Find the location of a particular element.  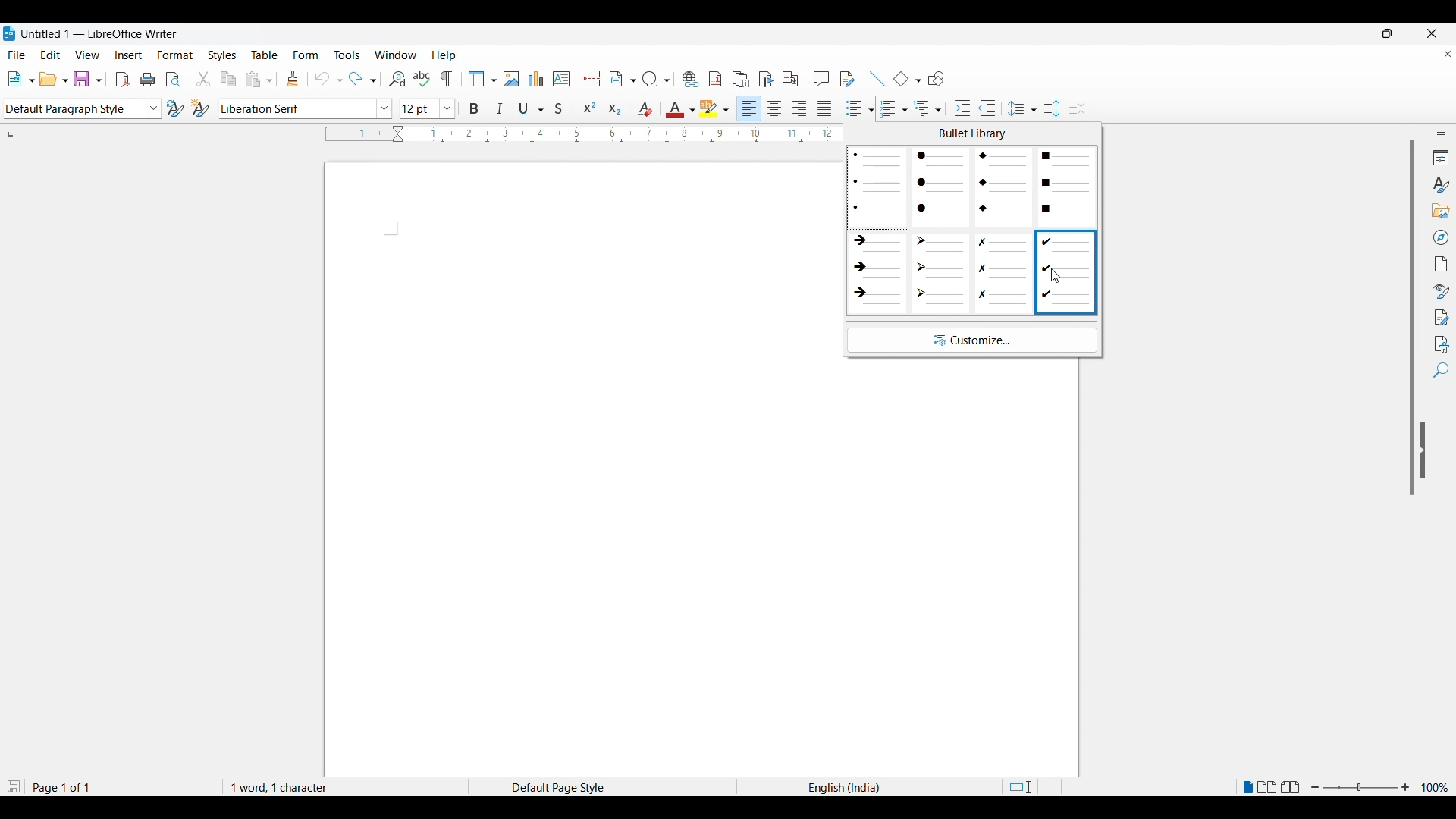

paste is located at coordinates (261, 80).